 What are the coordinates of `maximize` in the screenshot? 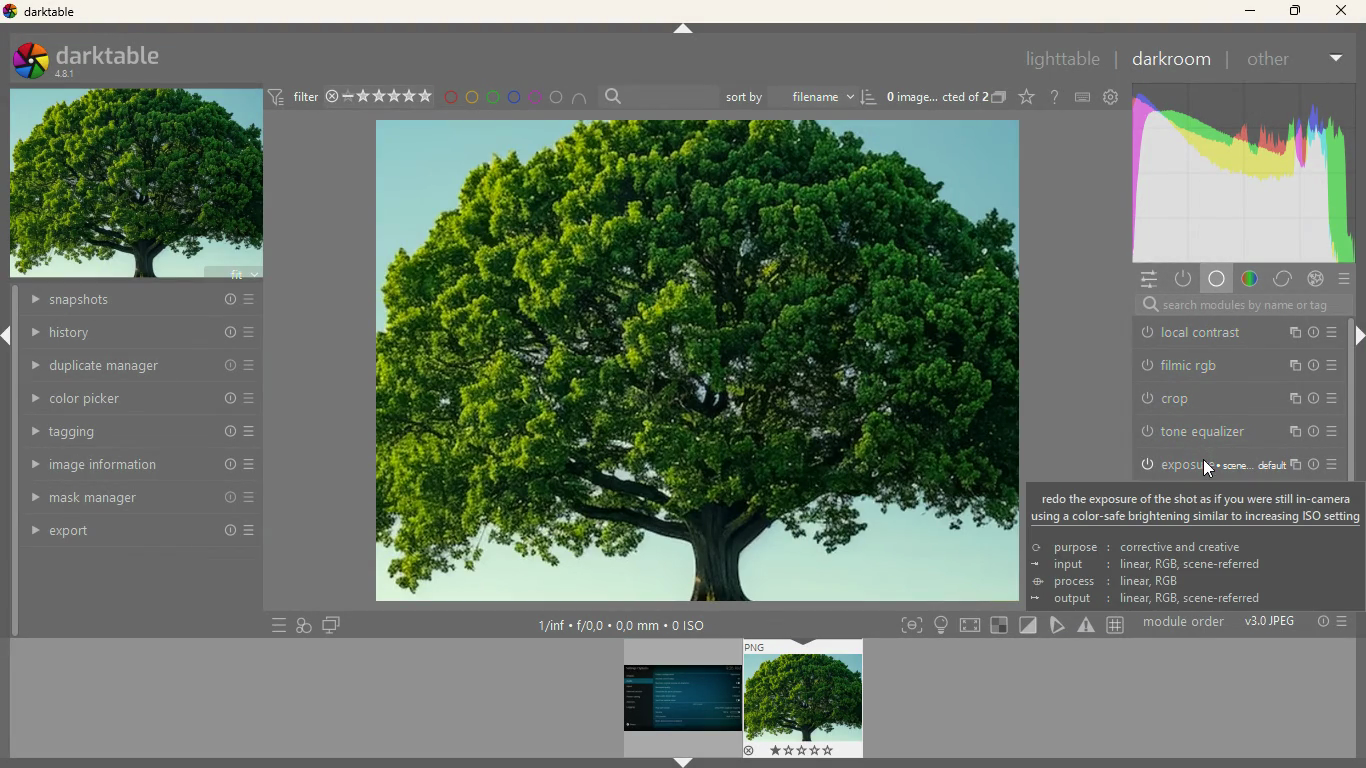 It's located at (1294, 13).